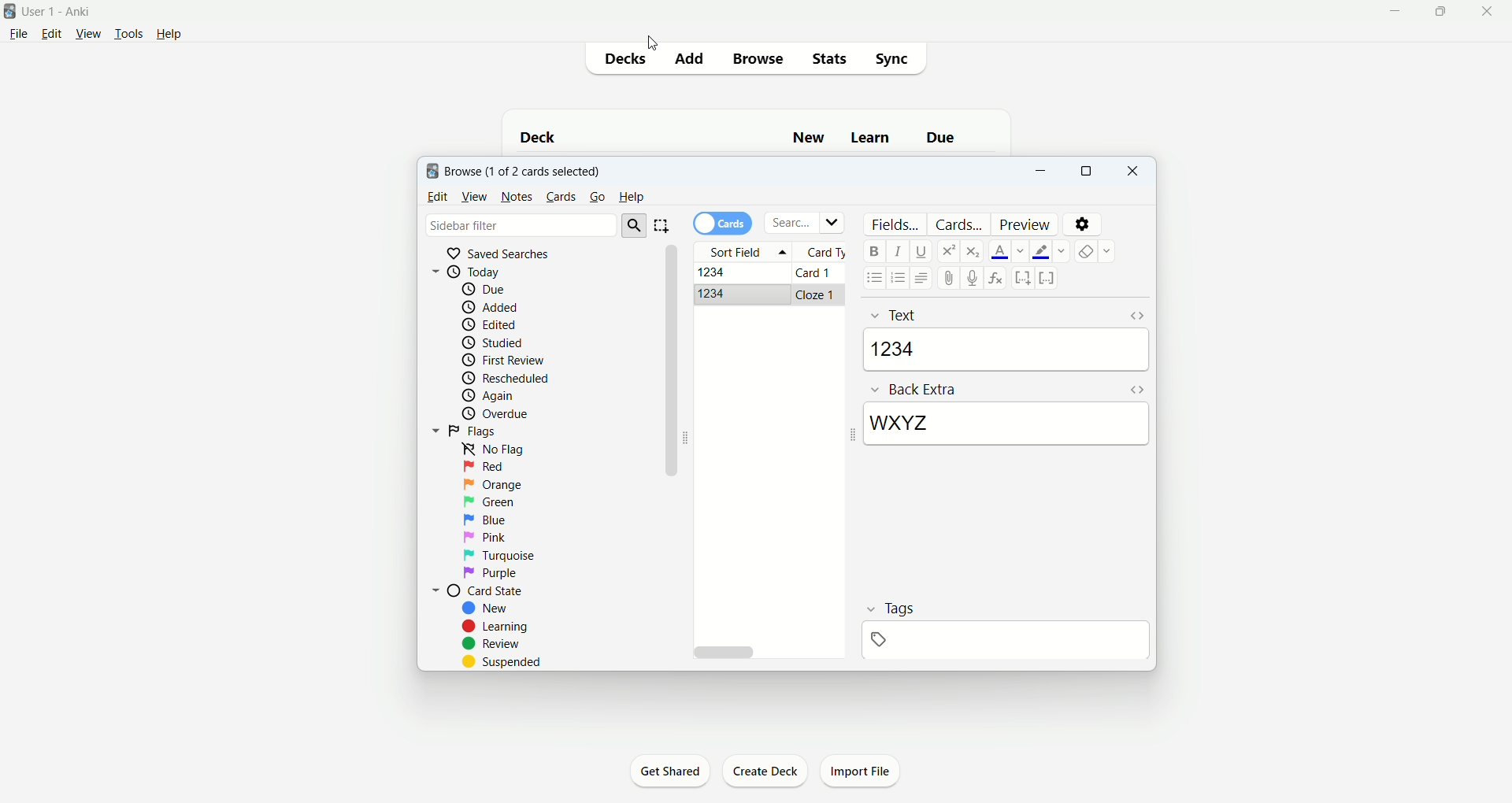 The image size is (1512, 803). I want to click on HTML editor, so click(1140, 390).